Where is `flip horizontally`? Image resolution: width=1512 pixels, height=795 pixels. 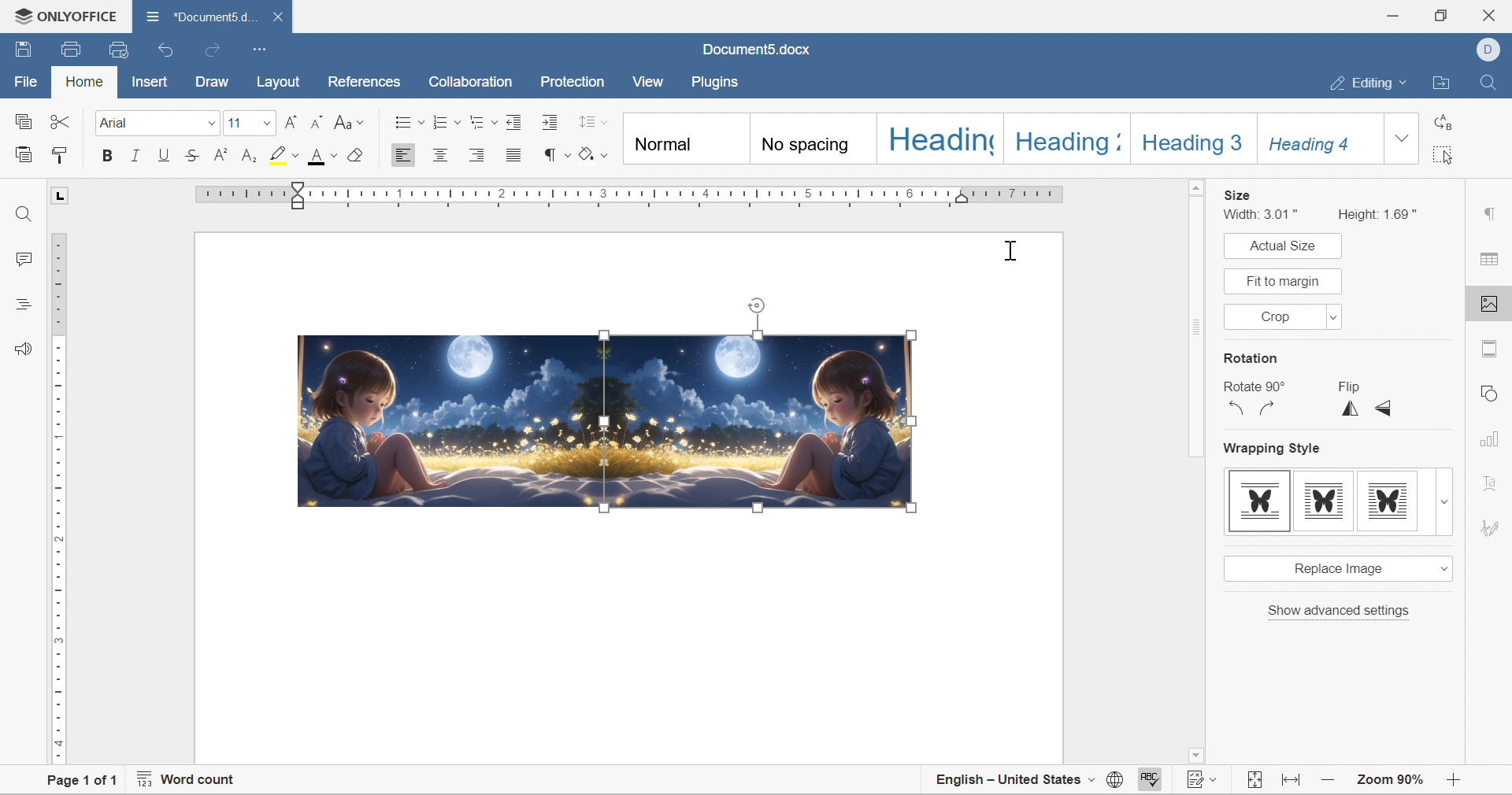
flip horizontally is located at coordinates (1385, 408).